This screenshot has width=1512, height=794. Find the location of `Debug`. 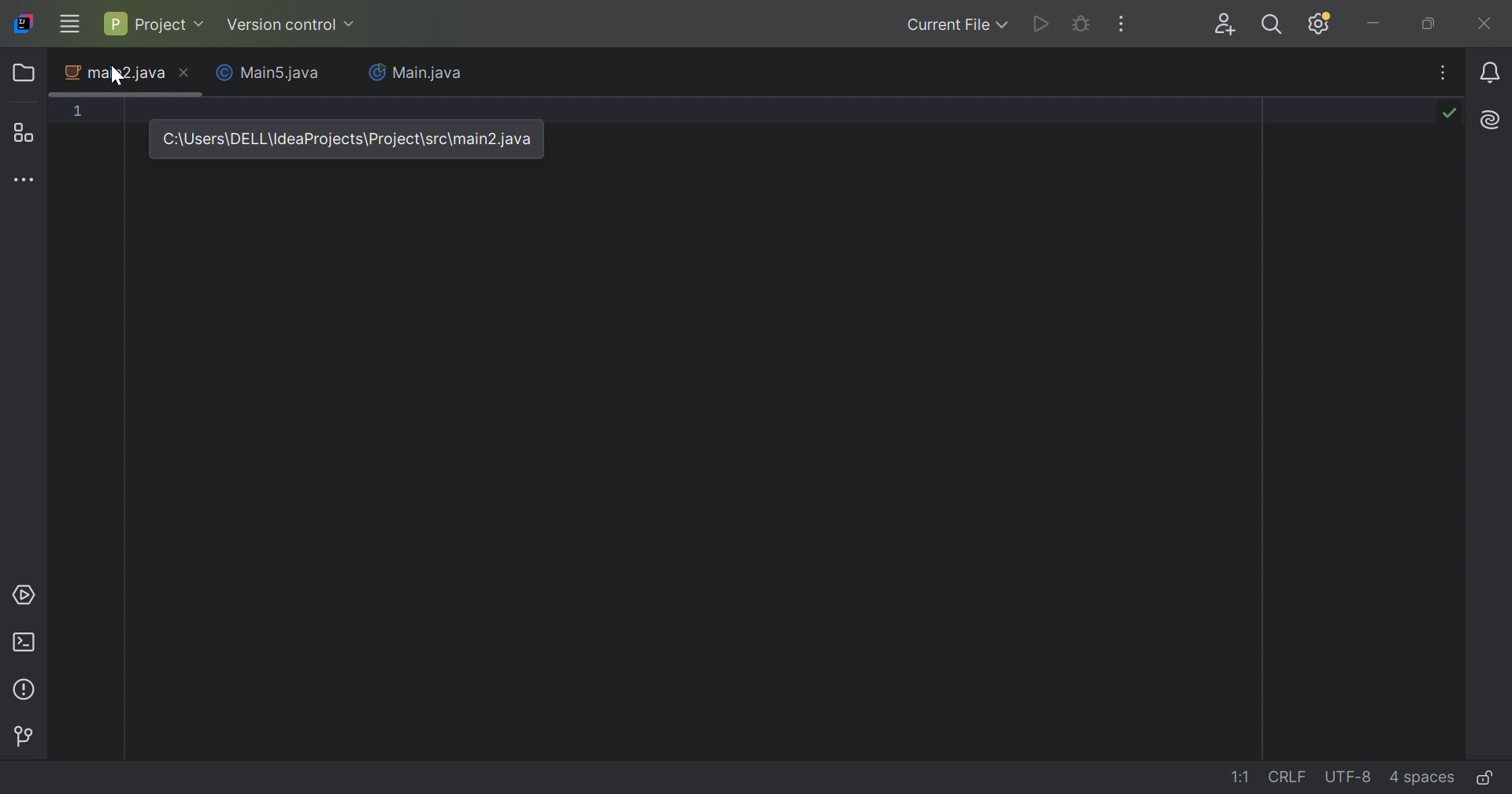

Debug is located at coordinates (1080, 24).